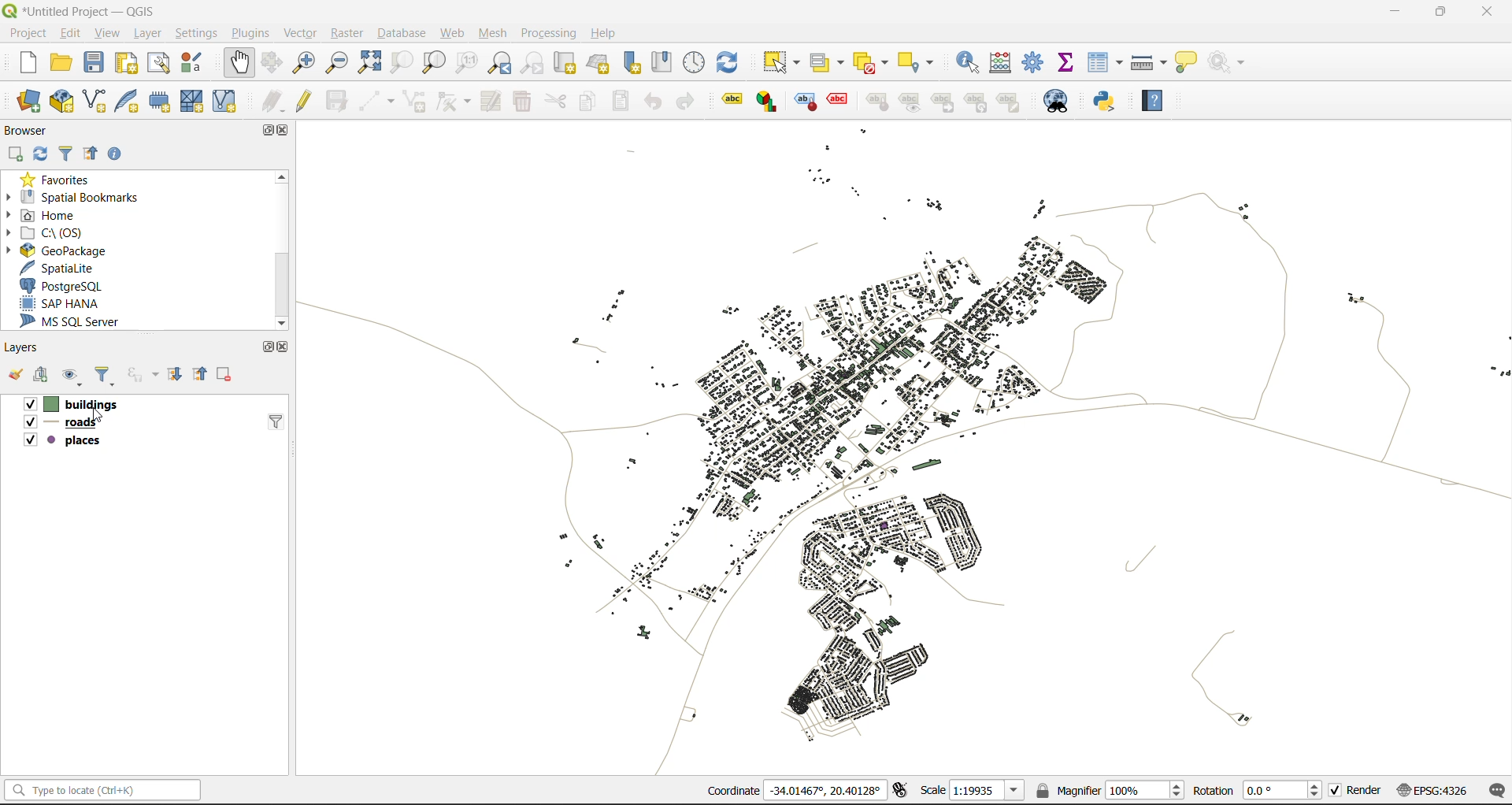 This screenshot has width=1512, height=805. I want to click on toggle edits, so click(304, 99).